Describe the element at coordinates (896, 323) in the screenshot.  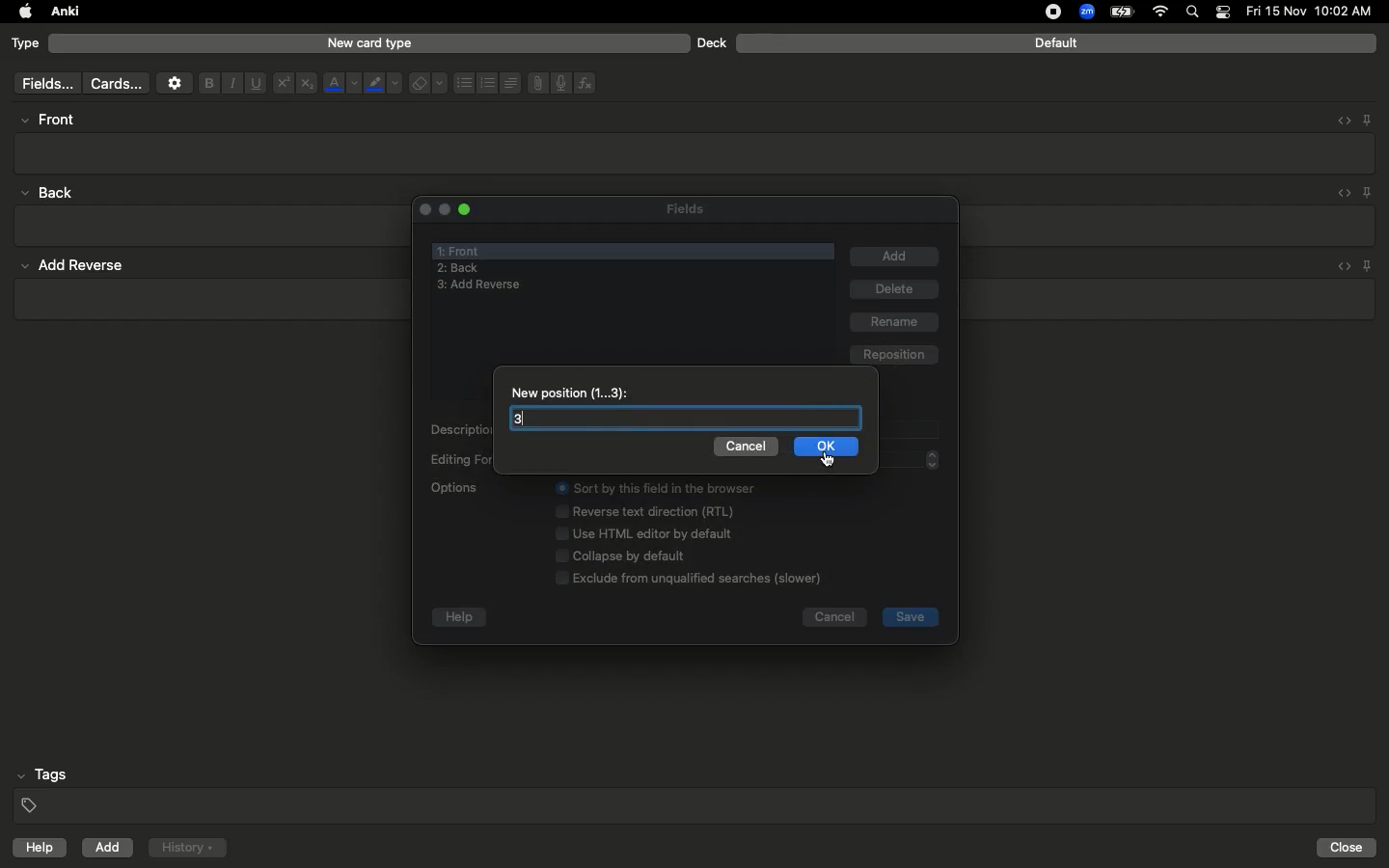
I see `rename` at that location.